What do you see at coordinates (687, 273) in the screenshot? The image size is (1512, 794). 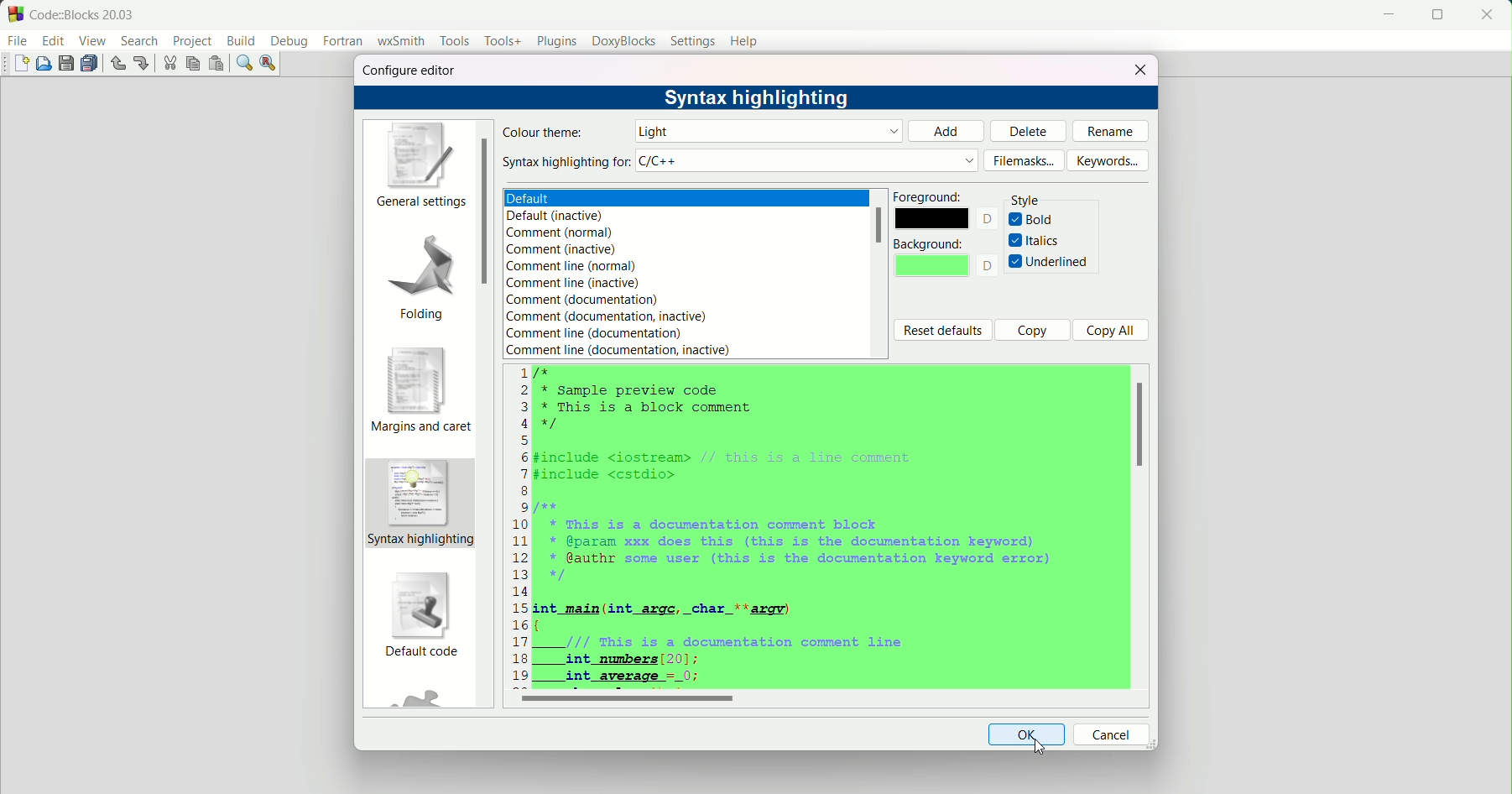 I see `text` at bounding box center [687, 273].